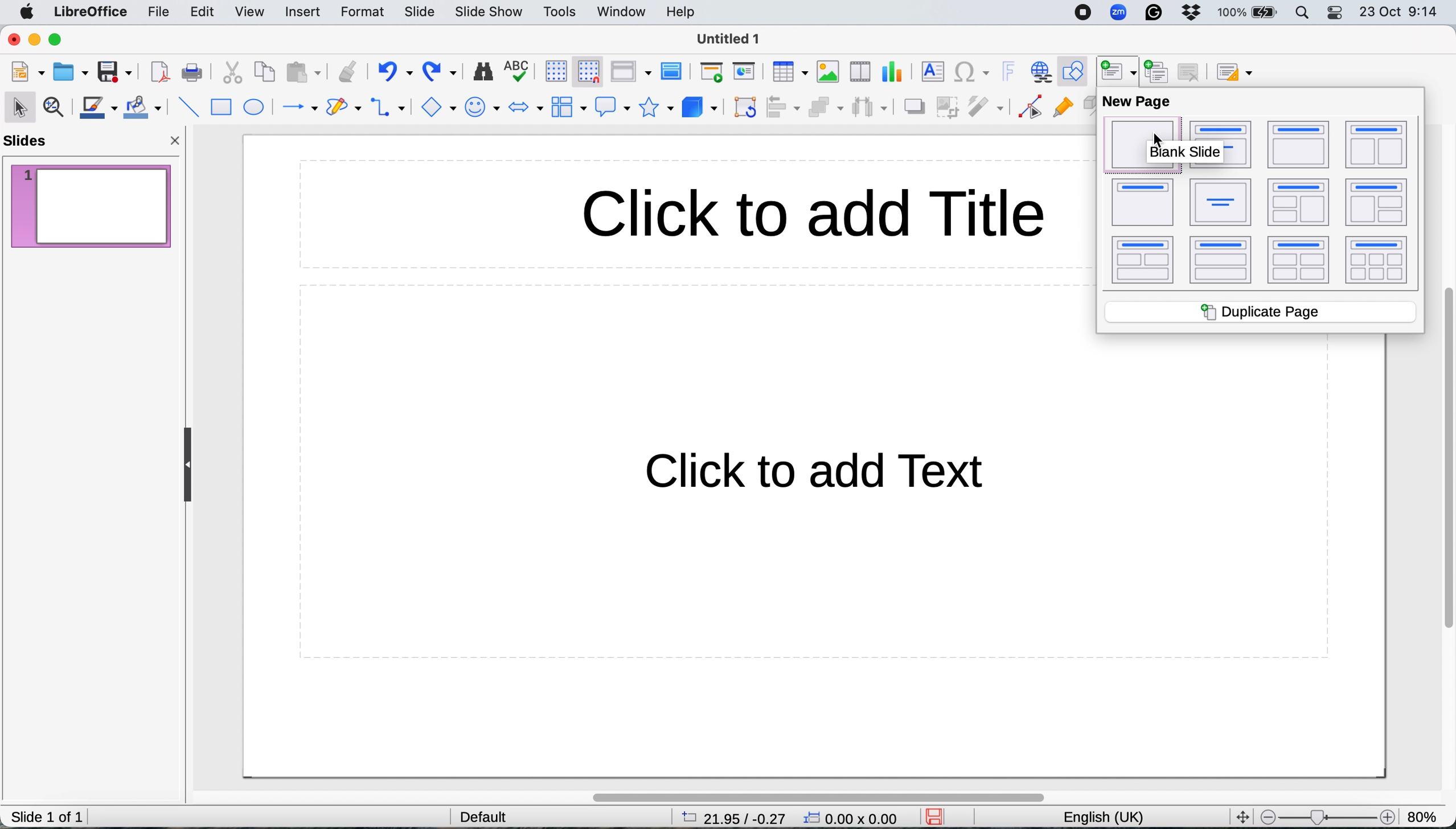 This screenshot has height=829, width=1456. I want to click on xy coordinate, so click(854, 817).